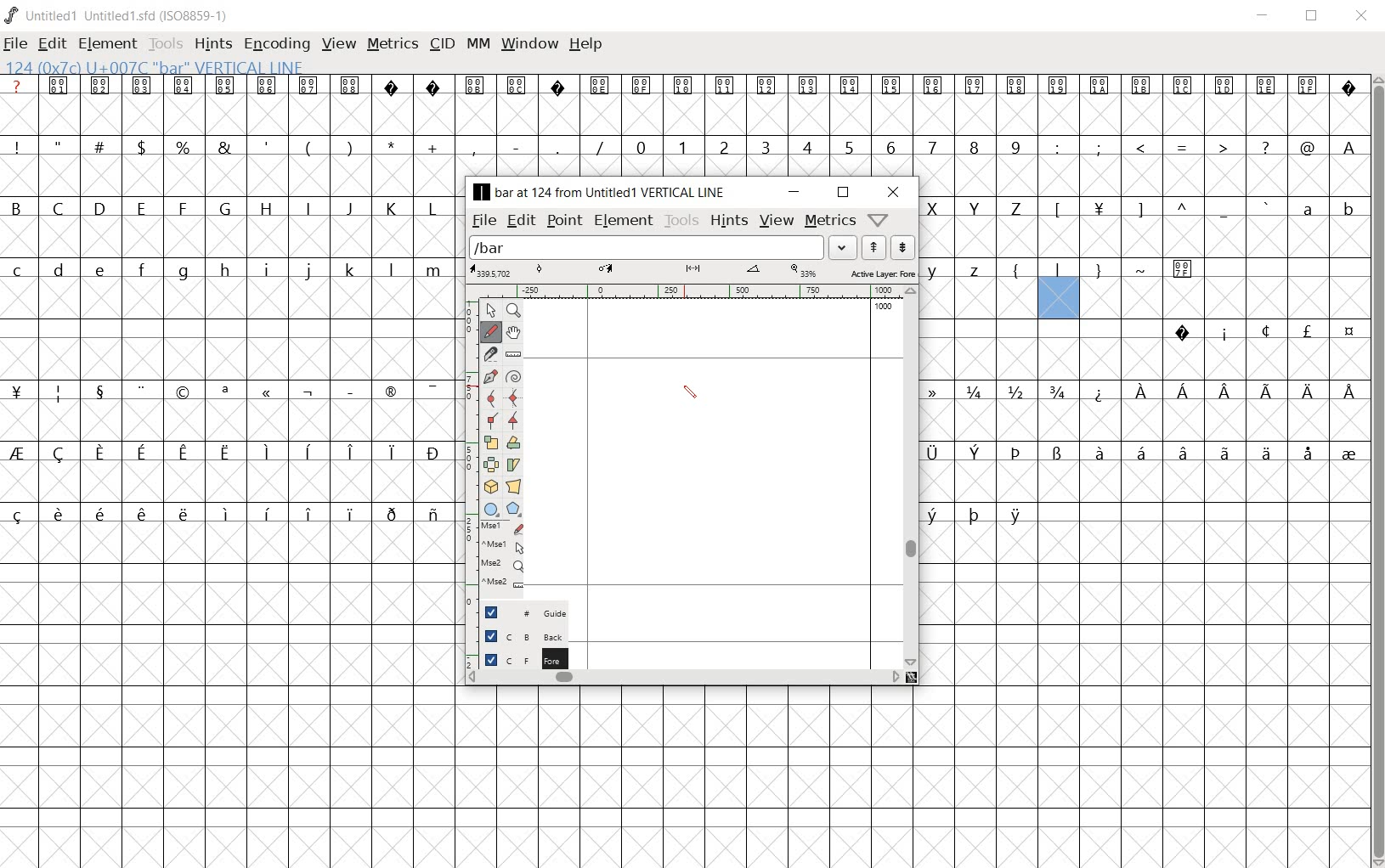 The image size is (1385, 868). I want to click on empty cells, so click(229, 359).